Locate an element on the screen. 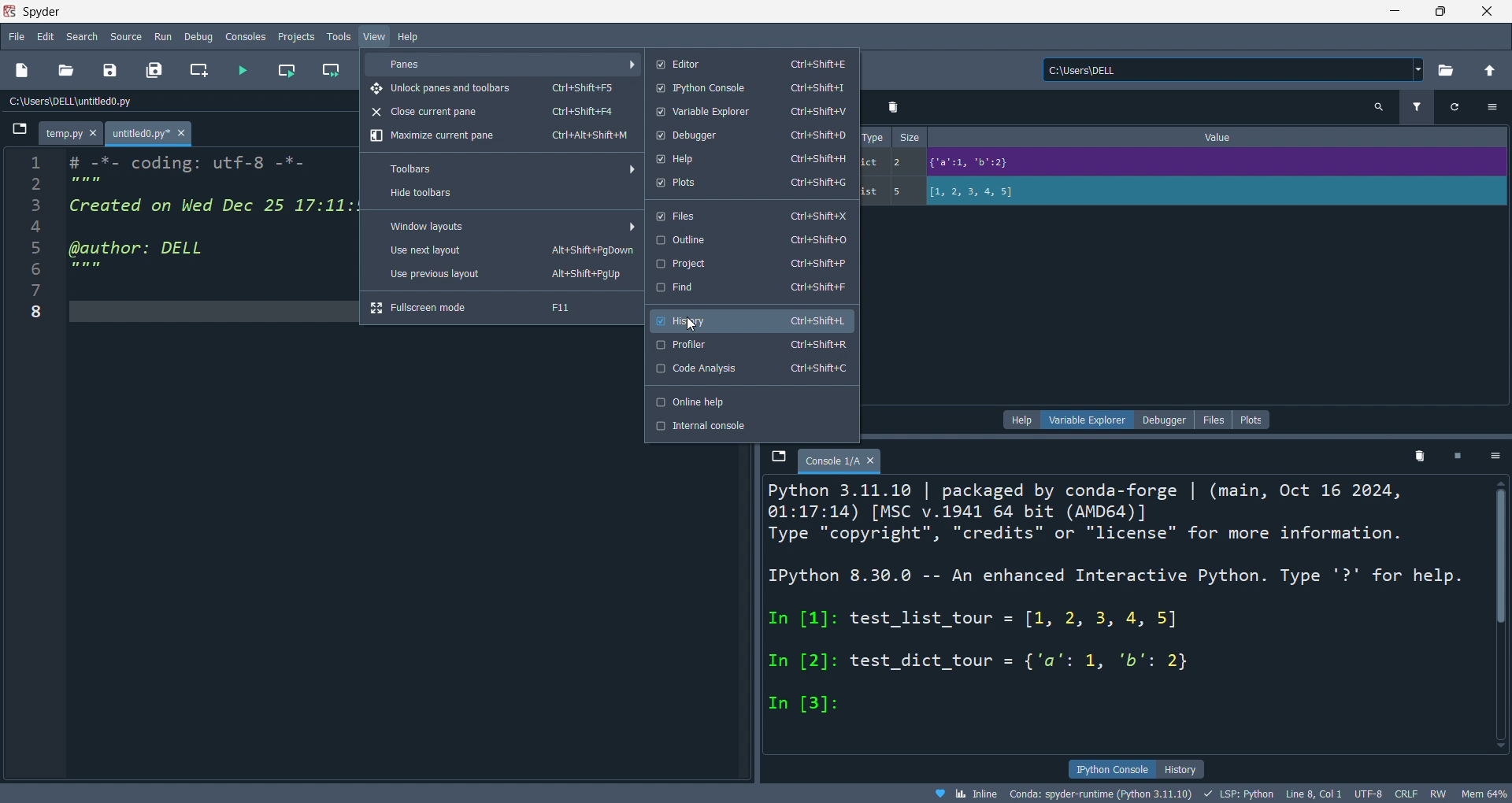 The width and height of the screenshot is (1512, 803). panes is located at coordinates (505, 64).